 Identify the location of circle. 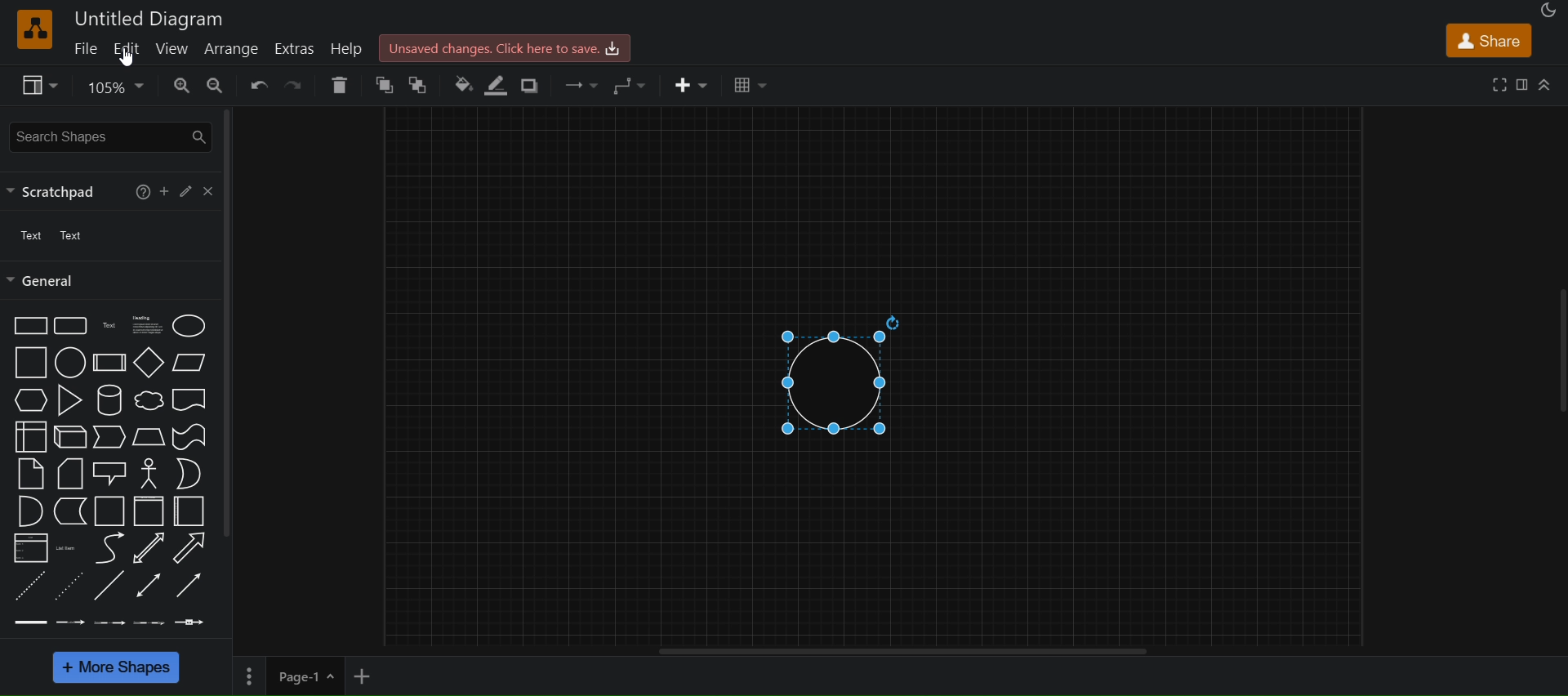
(70, 362).